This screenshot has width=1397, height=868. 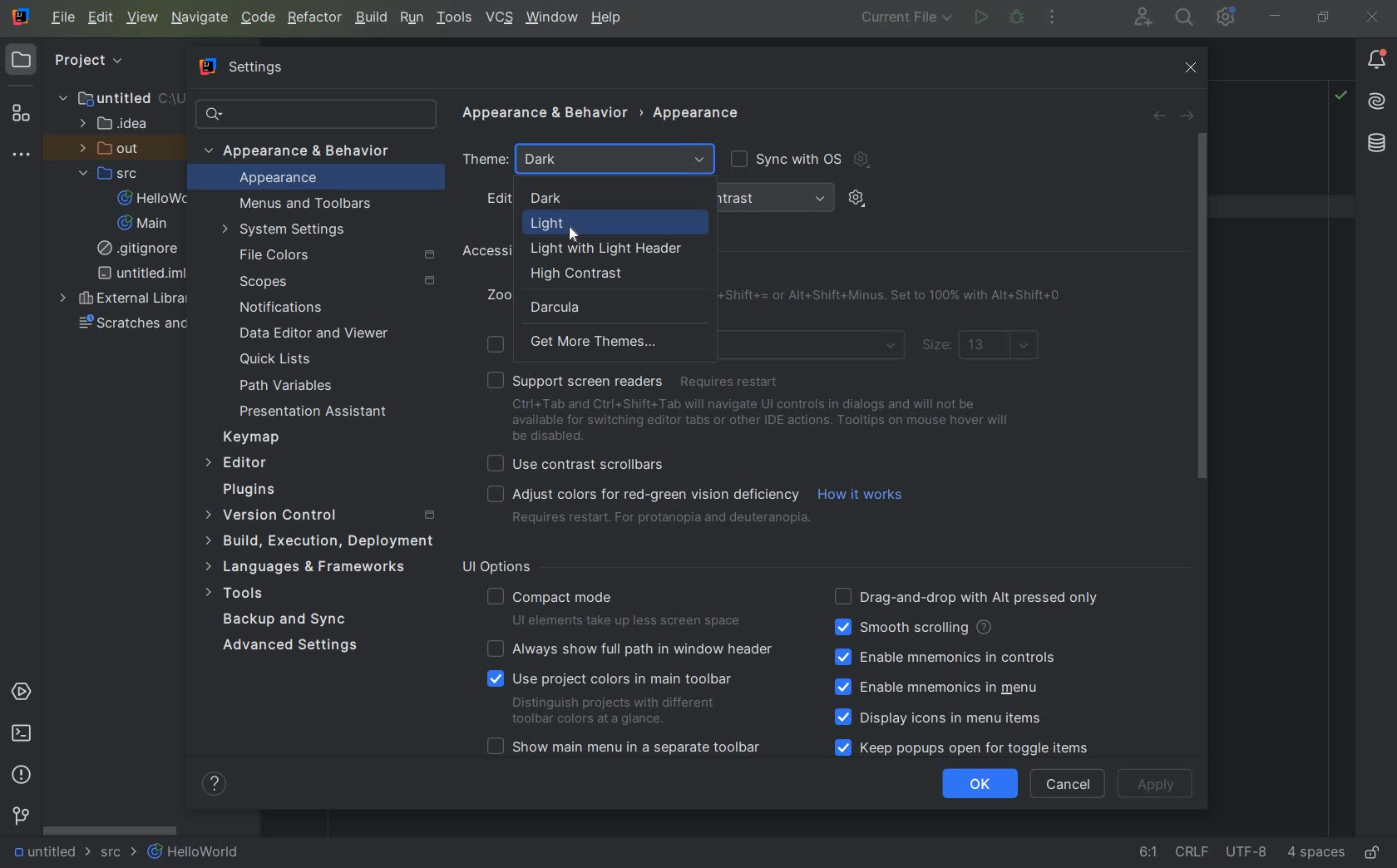 I want to click on VCS, so click(x=499, y=18).